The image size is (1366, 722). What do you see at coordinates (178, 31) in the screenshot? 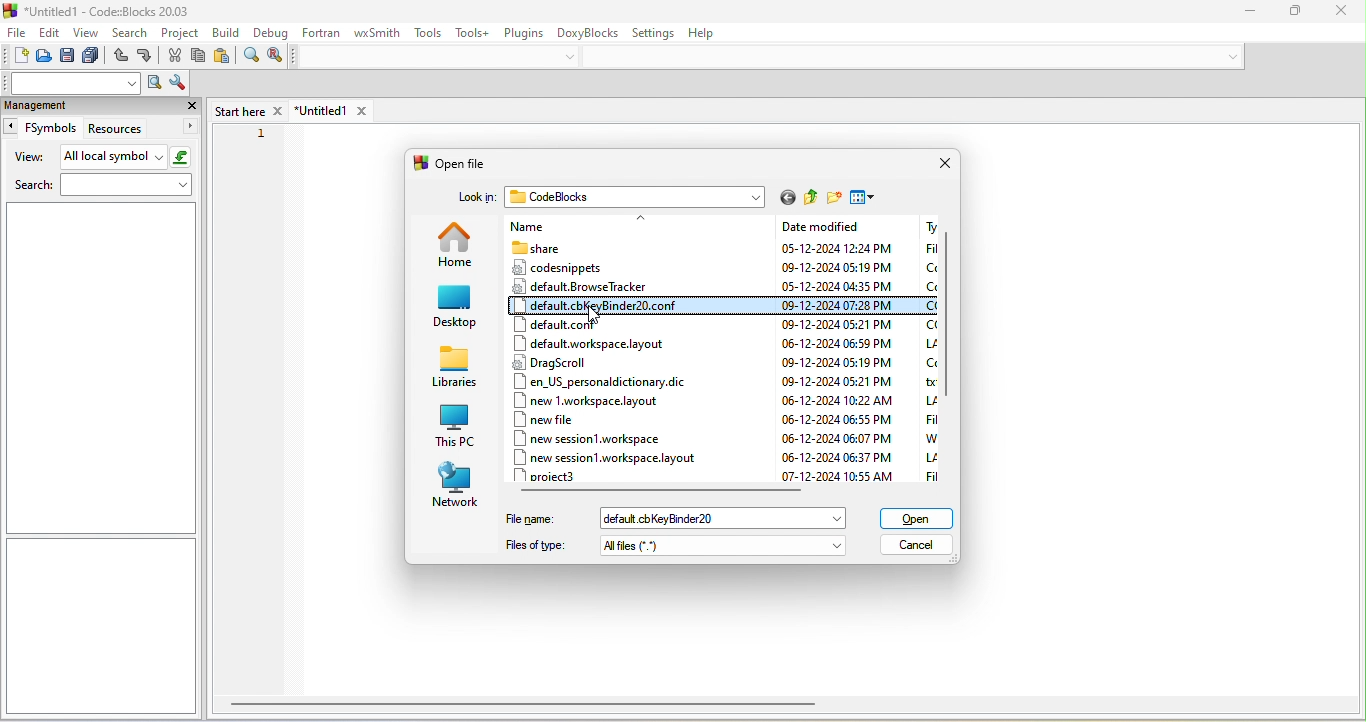
I see `project` at bounding box center [178, 31].